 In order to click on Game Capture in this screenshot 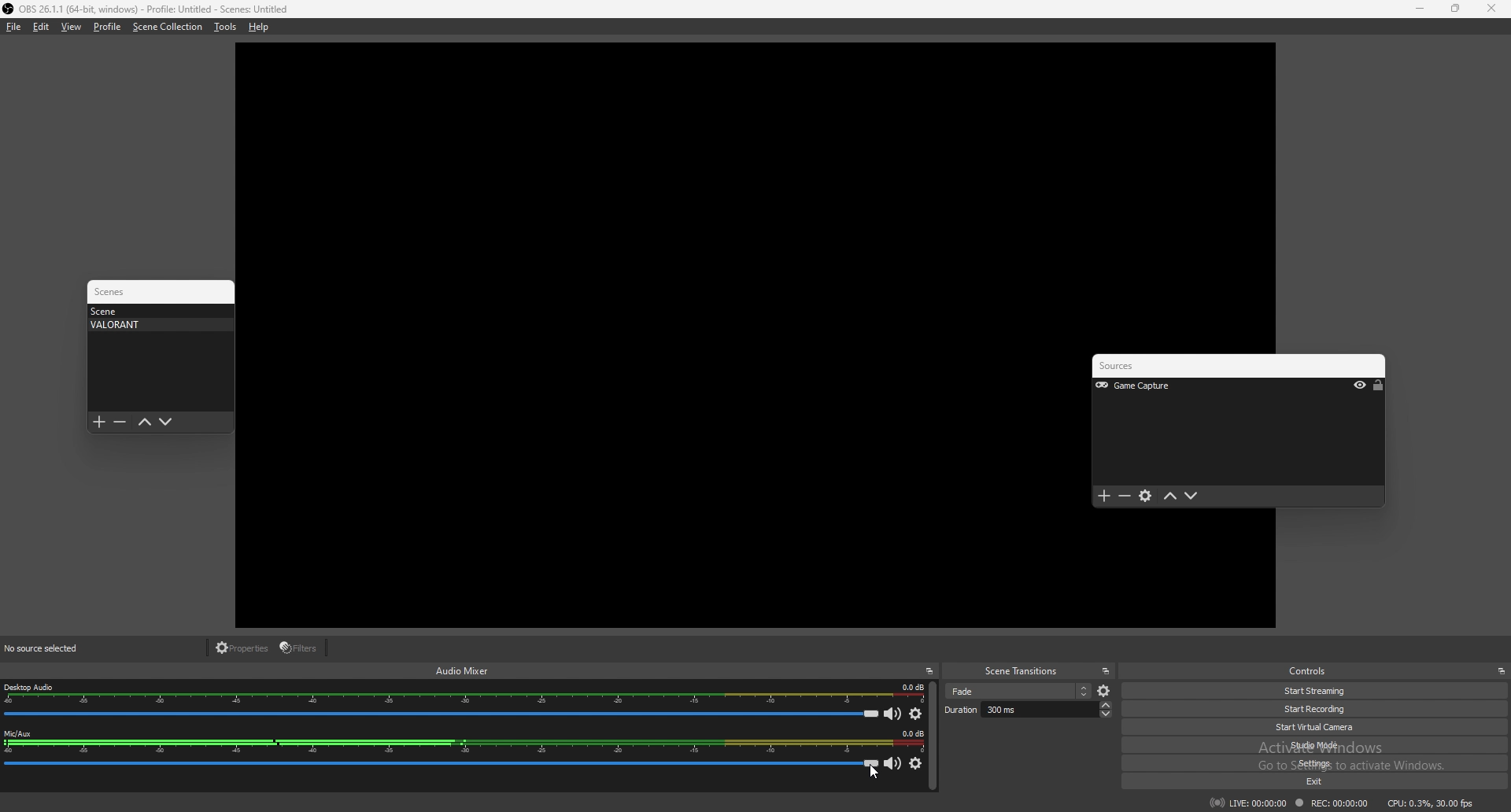, I will do `click(1154, 386)`.